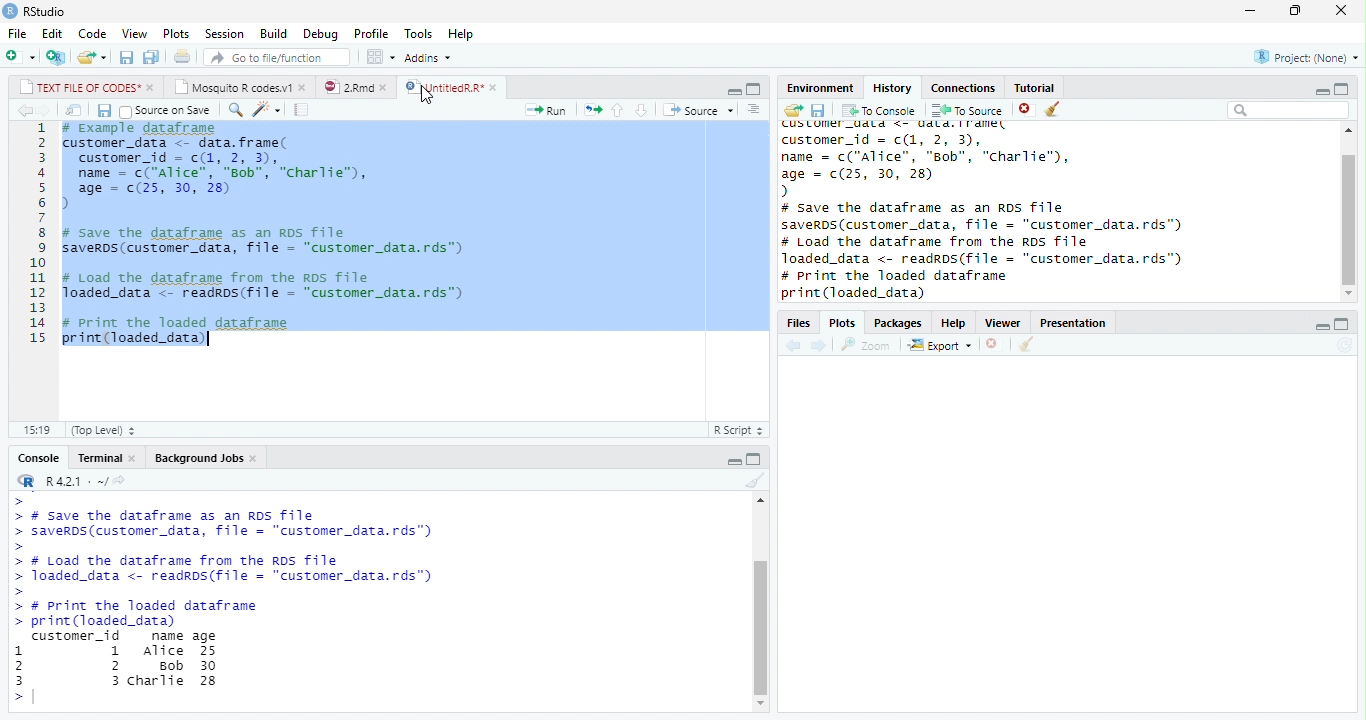 The width and height of the screenshot is (1366, 720). What do you see at coordinates (268, 242) in the screenshot?
I see `# Save the dataframe as an RDS file
saverDs(customer_data, file = "customer_data.rds")` at bounding box center [268, 242].